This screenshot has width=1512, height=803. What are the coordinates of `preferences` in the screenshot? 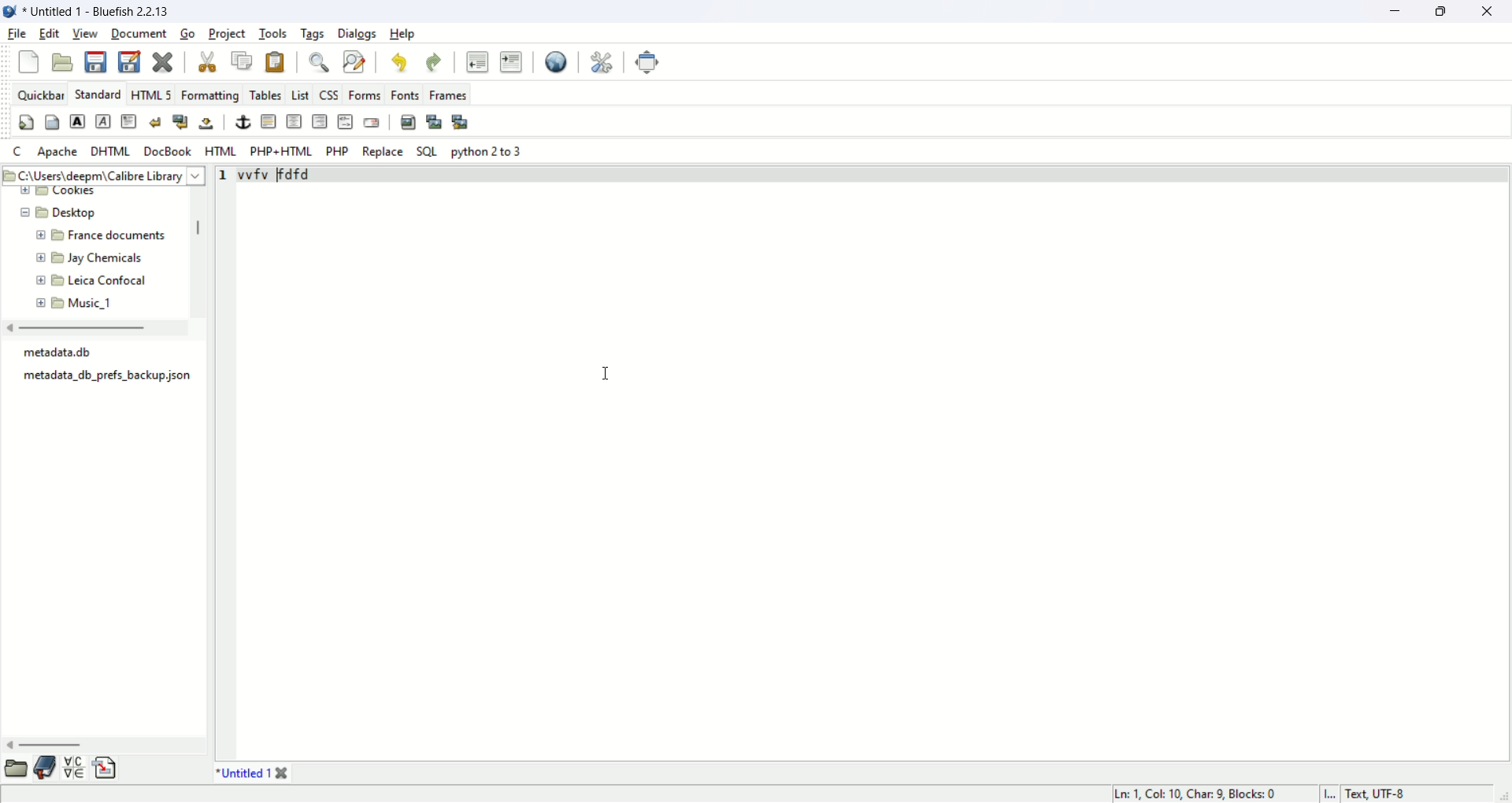 It's located at (602, 63).